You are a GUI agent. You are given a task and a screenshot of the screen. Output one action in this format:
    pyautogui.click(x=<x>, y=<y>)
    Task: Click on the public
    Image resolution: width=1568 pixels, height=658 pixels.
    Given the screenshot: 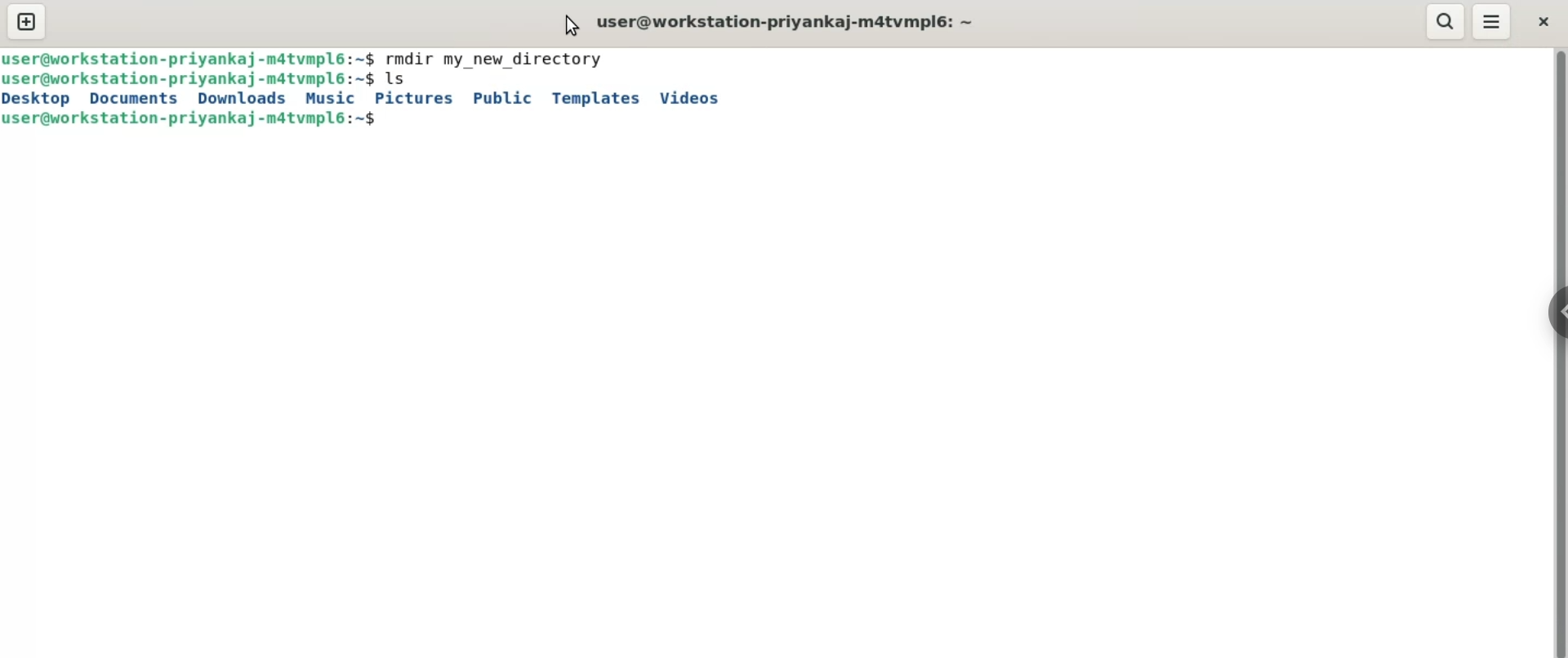 What is the action you would take?
    pyautogui.click(x=503, y=98)
    